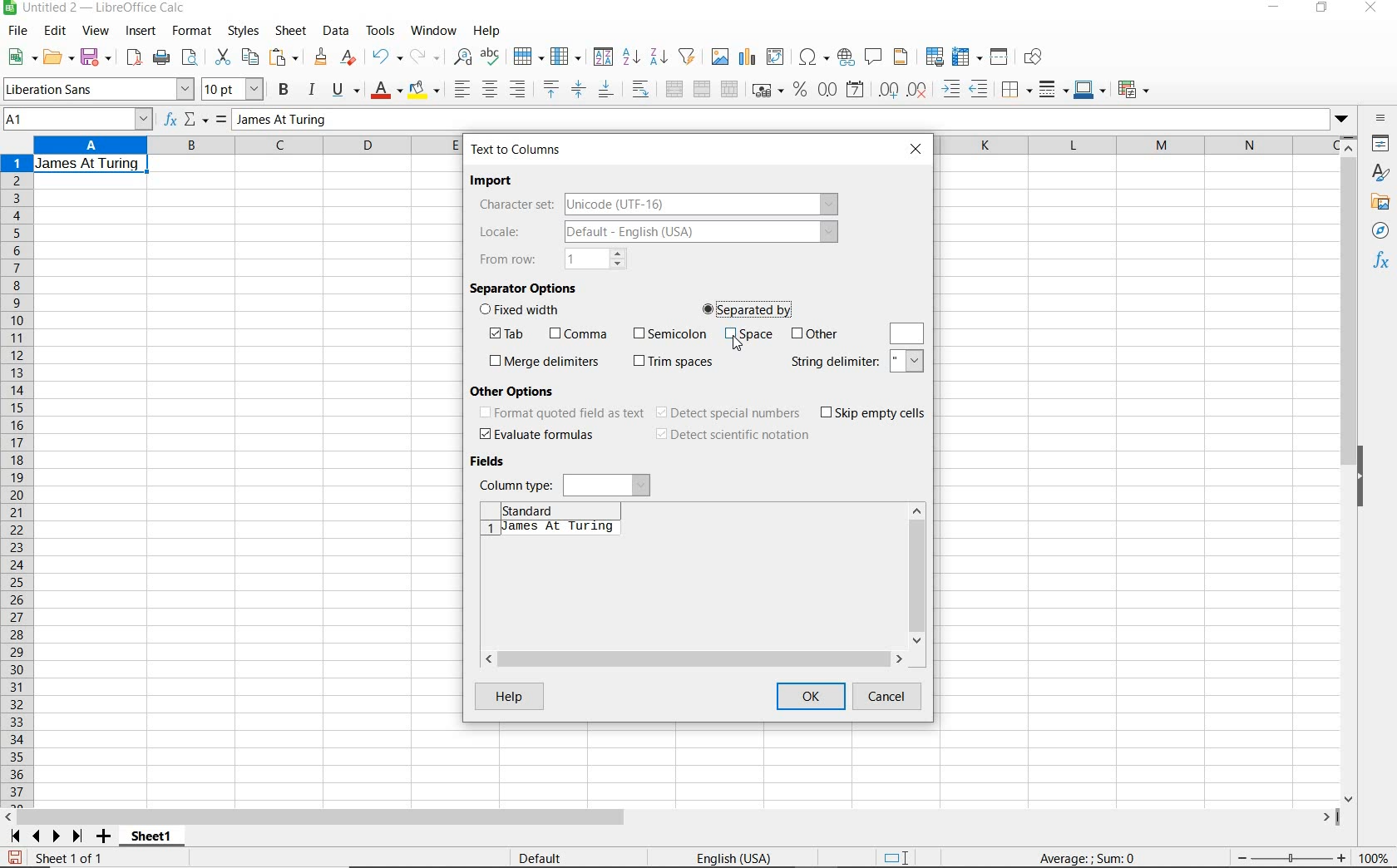  I want to click on character set, so click(656, 204).